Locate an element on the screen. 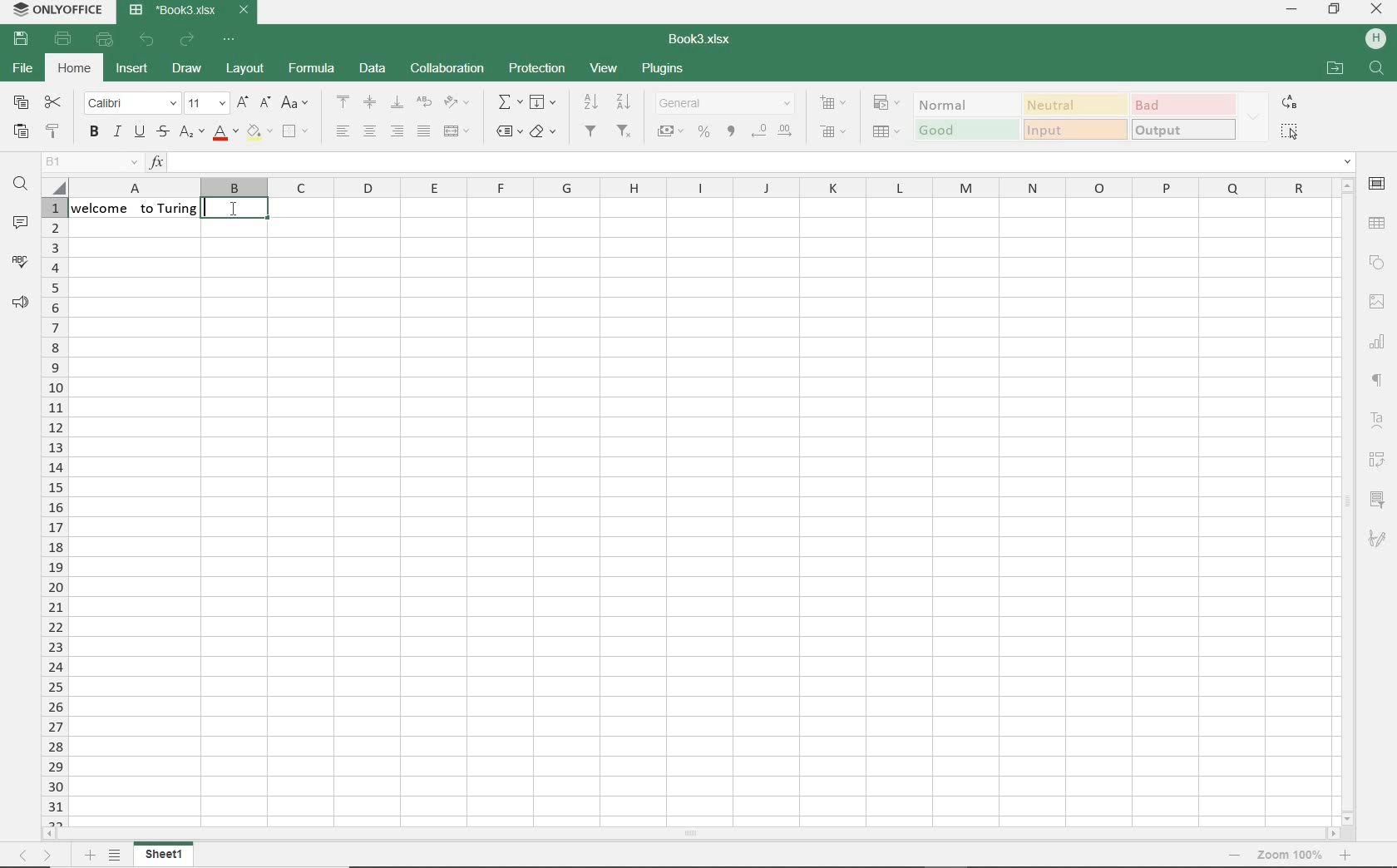 This screenshot has height=868, width=1397. add sheet is located at coordinates (91, 856).